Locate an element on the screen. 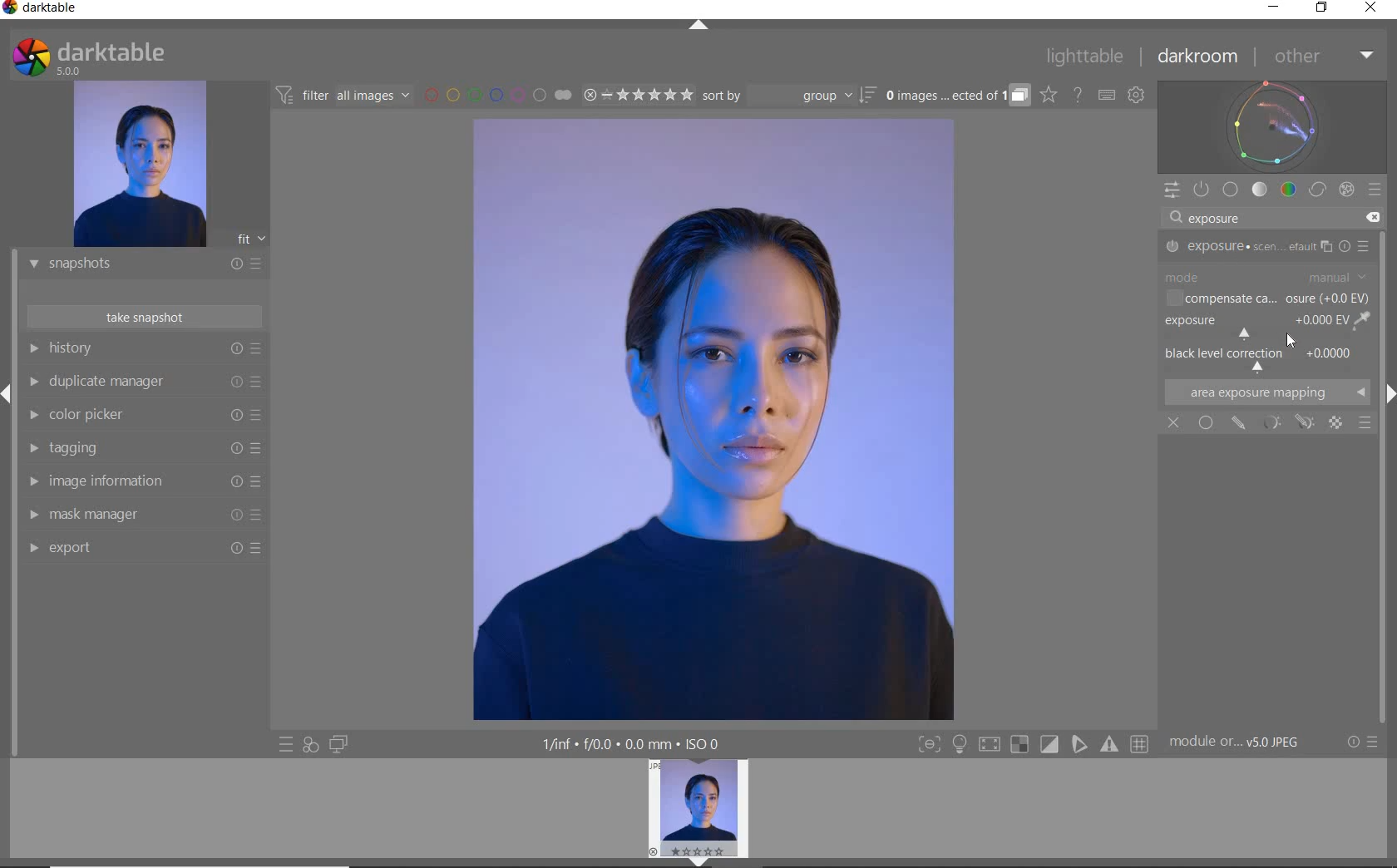  FILTER IMAGES BASED ON THEIR MODULE ORDER is located at coordinates (343, 98).